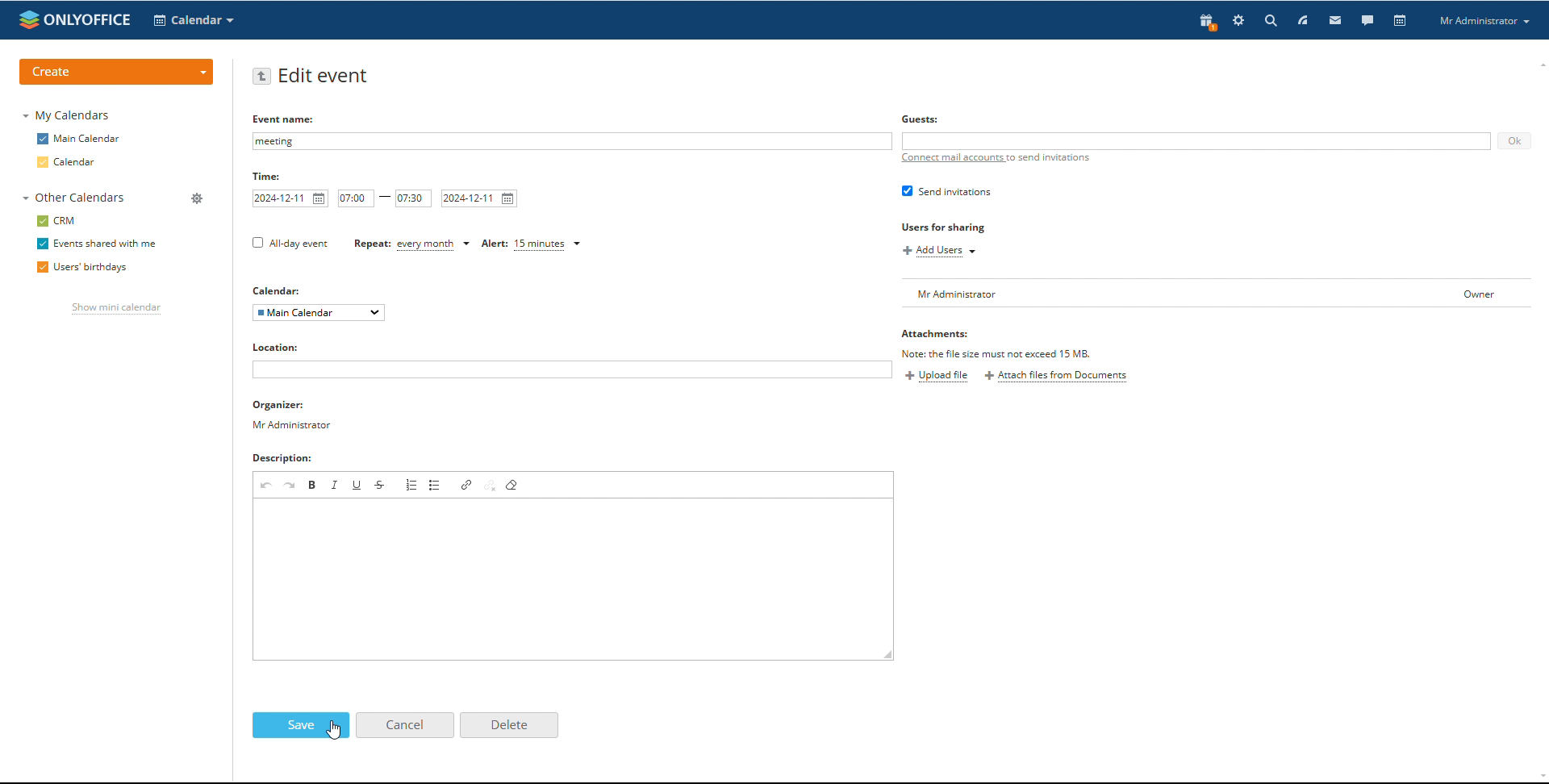 The width and height of the screenshot is (1549, 784). What do you see at coordinates (198, 199) in the screenshot?
I see `manage` at bounding box center [198, 199].